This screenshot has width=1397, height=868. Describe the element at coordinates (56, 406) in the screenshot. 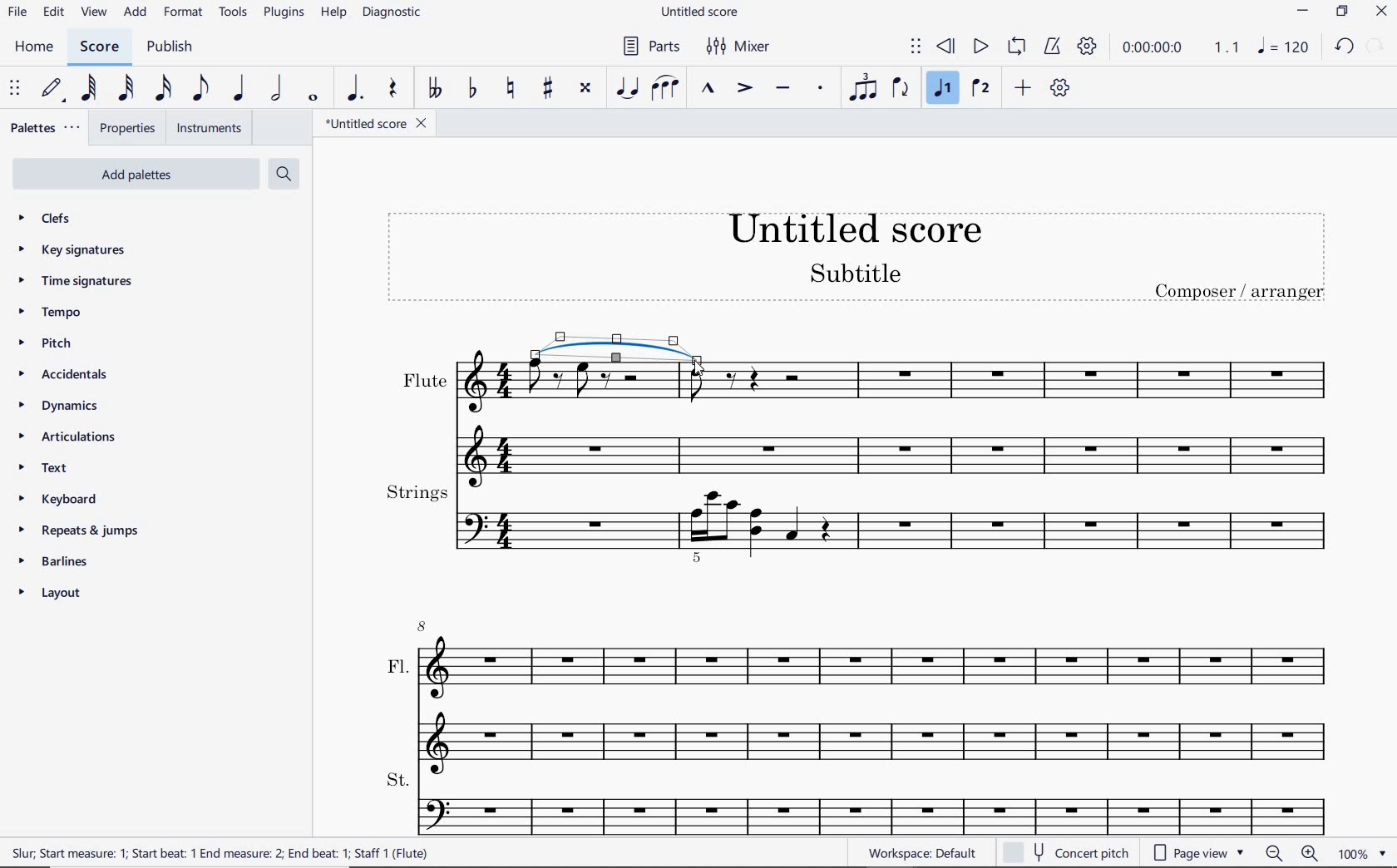

I see `dynamics` at that location.